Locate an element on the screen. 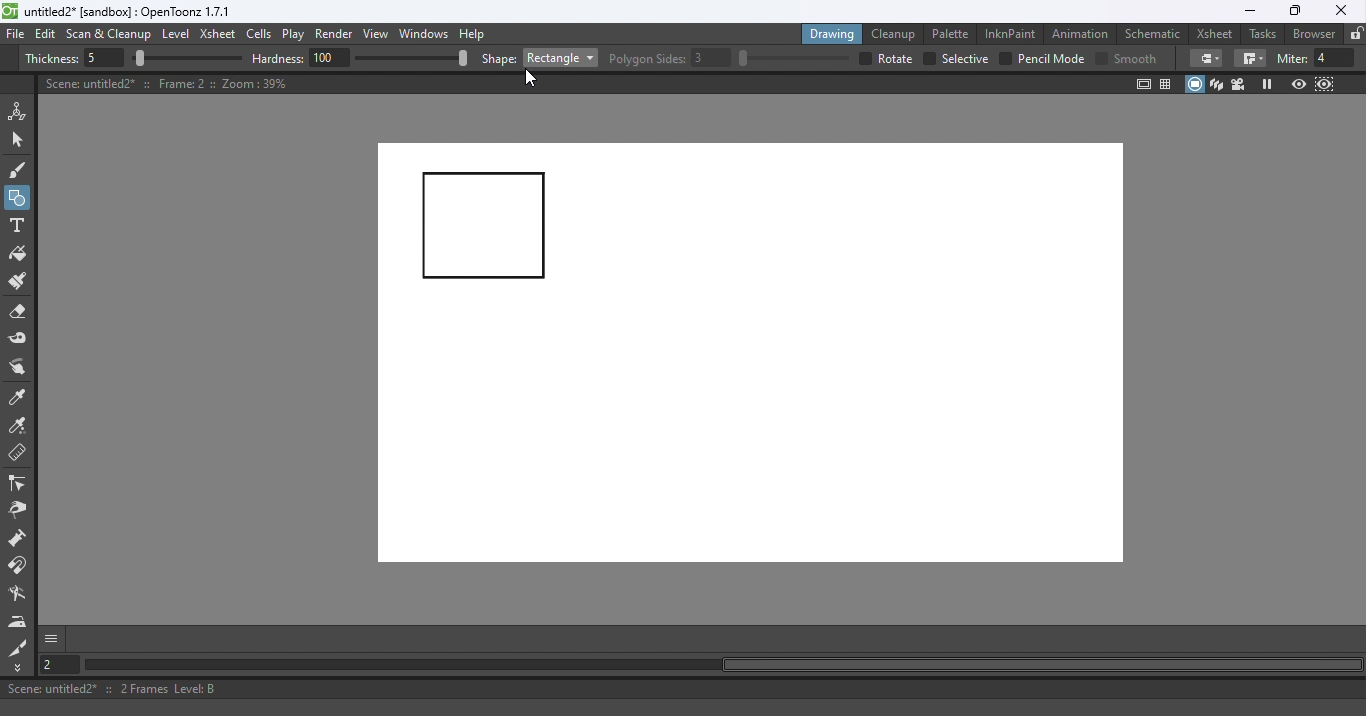 The width and height of the screenshot is (1366, 716). Canvas details is located at coordinates (169, 83).